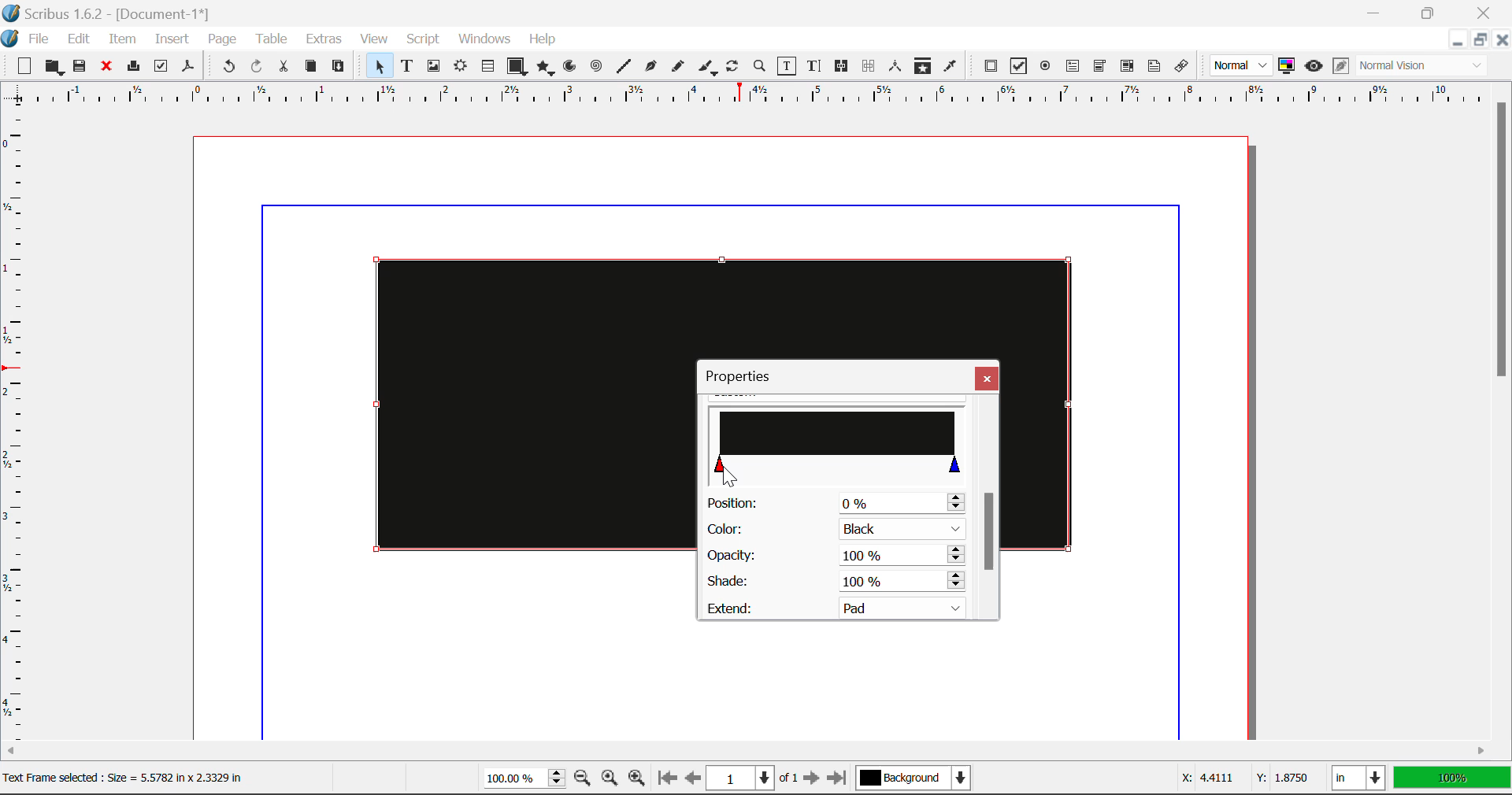  What do you see at coordinates (988, 508) in the screenshot?
I see `Scroll Bar` at bounding box center [988, 508].